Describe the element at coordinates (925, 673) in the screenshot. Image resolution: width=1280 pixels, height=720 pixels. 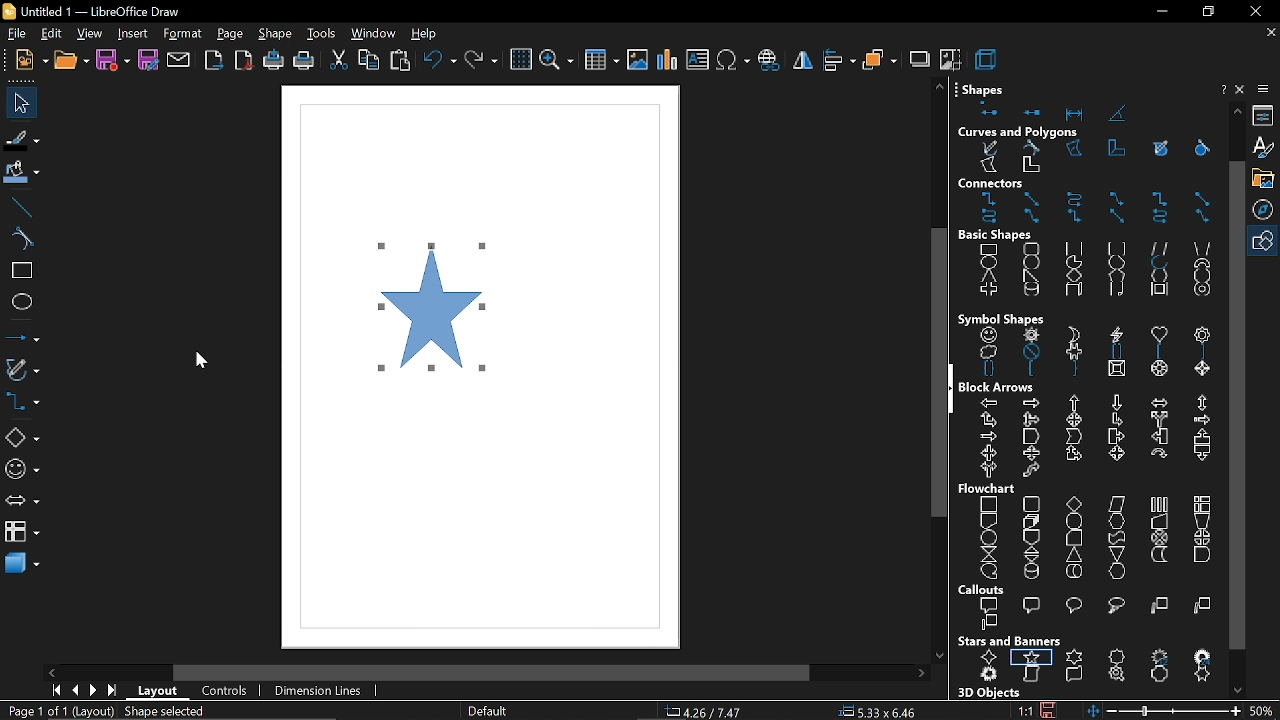
I see `move right ` at that location.